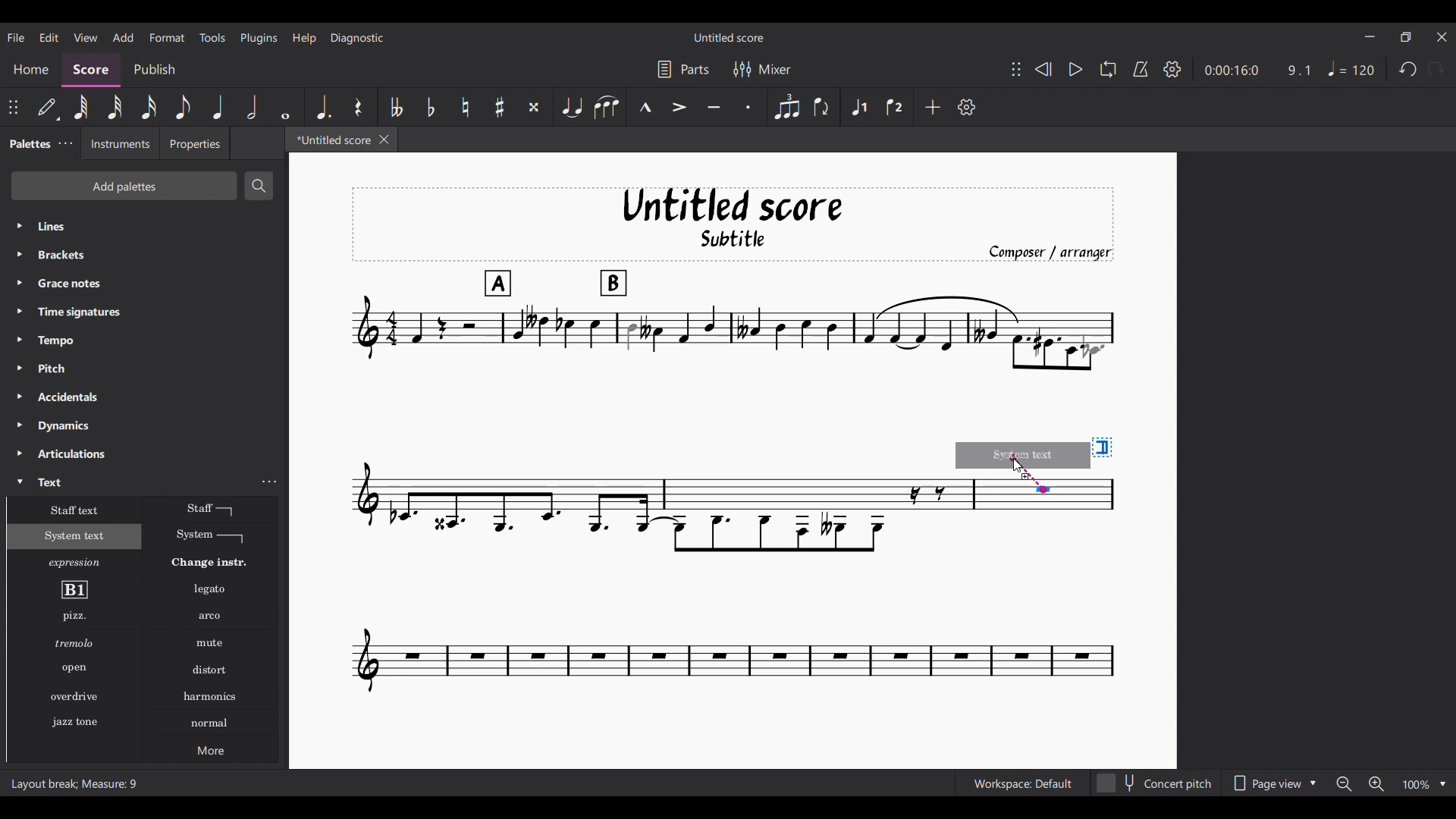 This screenshot has width=1456, height=819. What do you see at coordinates (144, 283) in the screenshot?
I see `Grace notes` at bounding box center [144, 283].